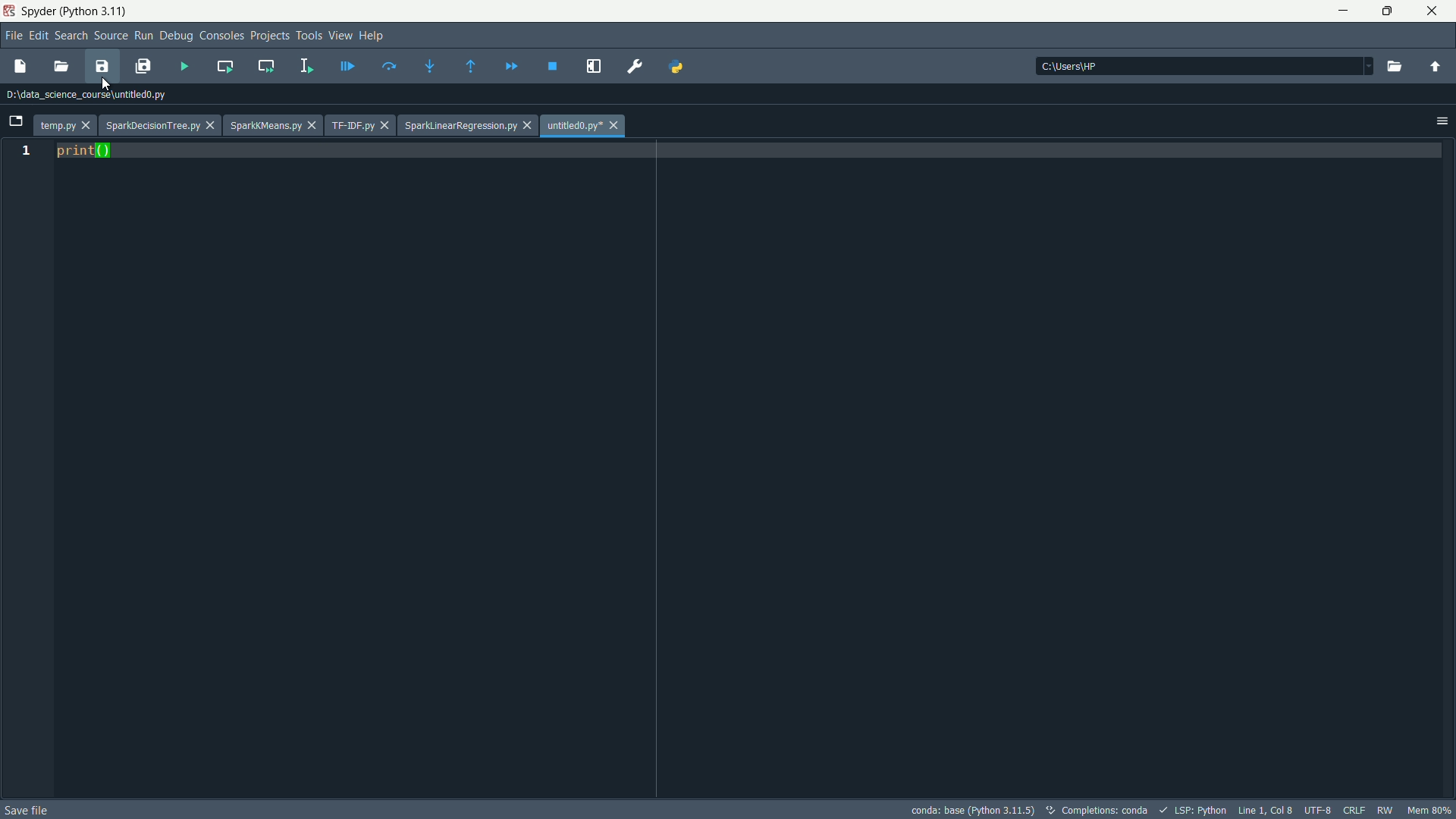 This screenshot has height=819, width=1456. Describe the element at coordinates (388, 67) in the screenshot. I see `run current line` at that location.